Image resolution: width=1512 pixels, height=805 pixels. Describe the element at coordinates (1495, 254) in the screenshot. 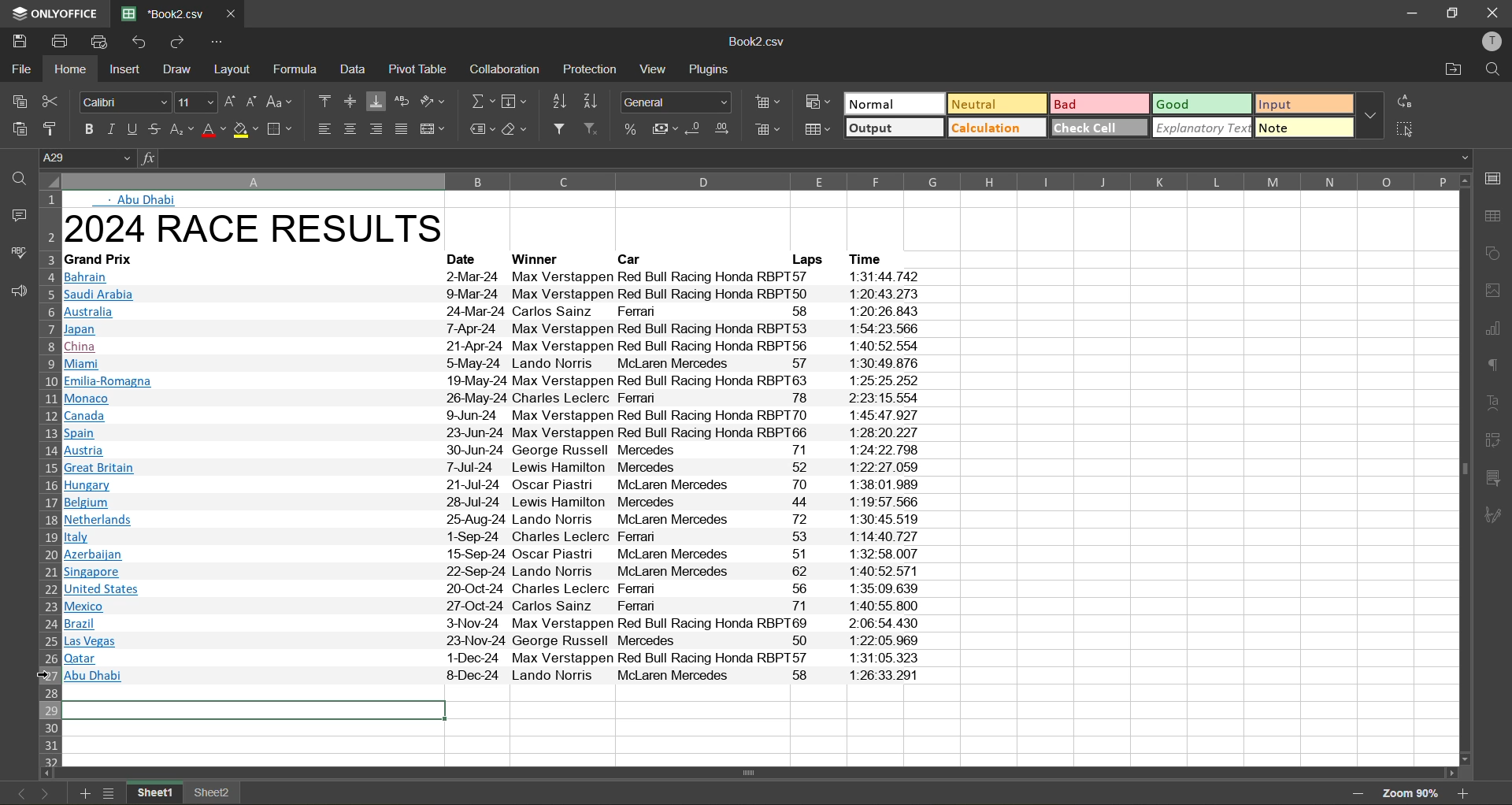

I see `shapes` at that location.